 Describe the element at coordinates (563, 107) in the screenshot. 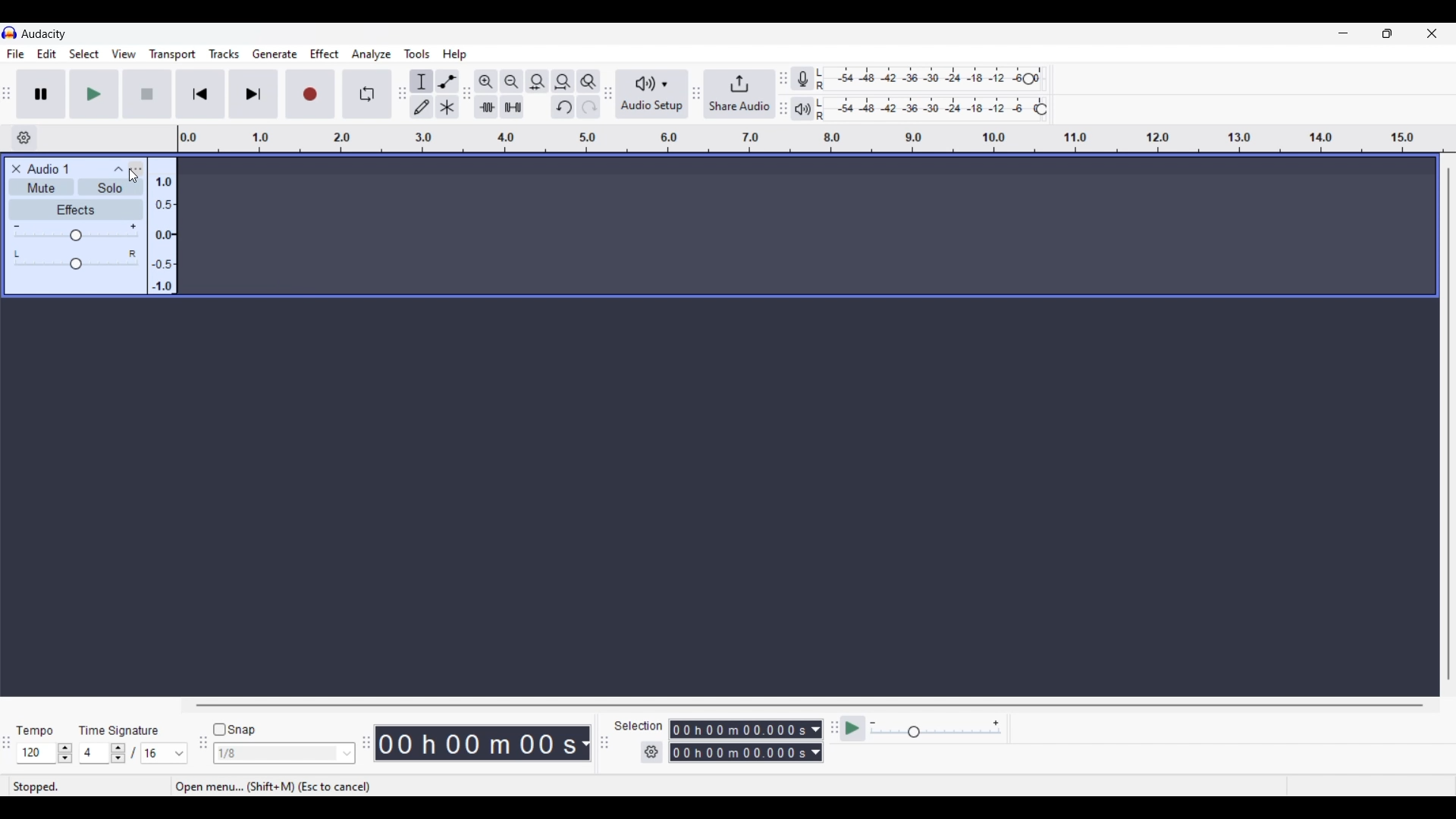

I see `Undo` at that location.